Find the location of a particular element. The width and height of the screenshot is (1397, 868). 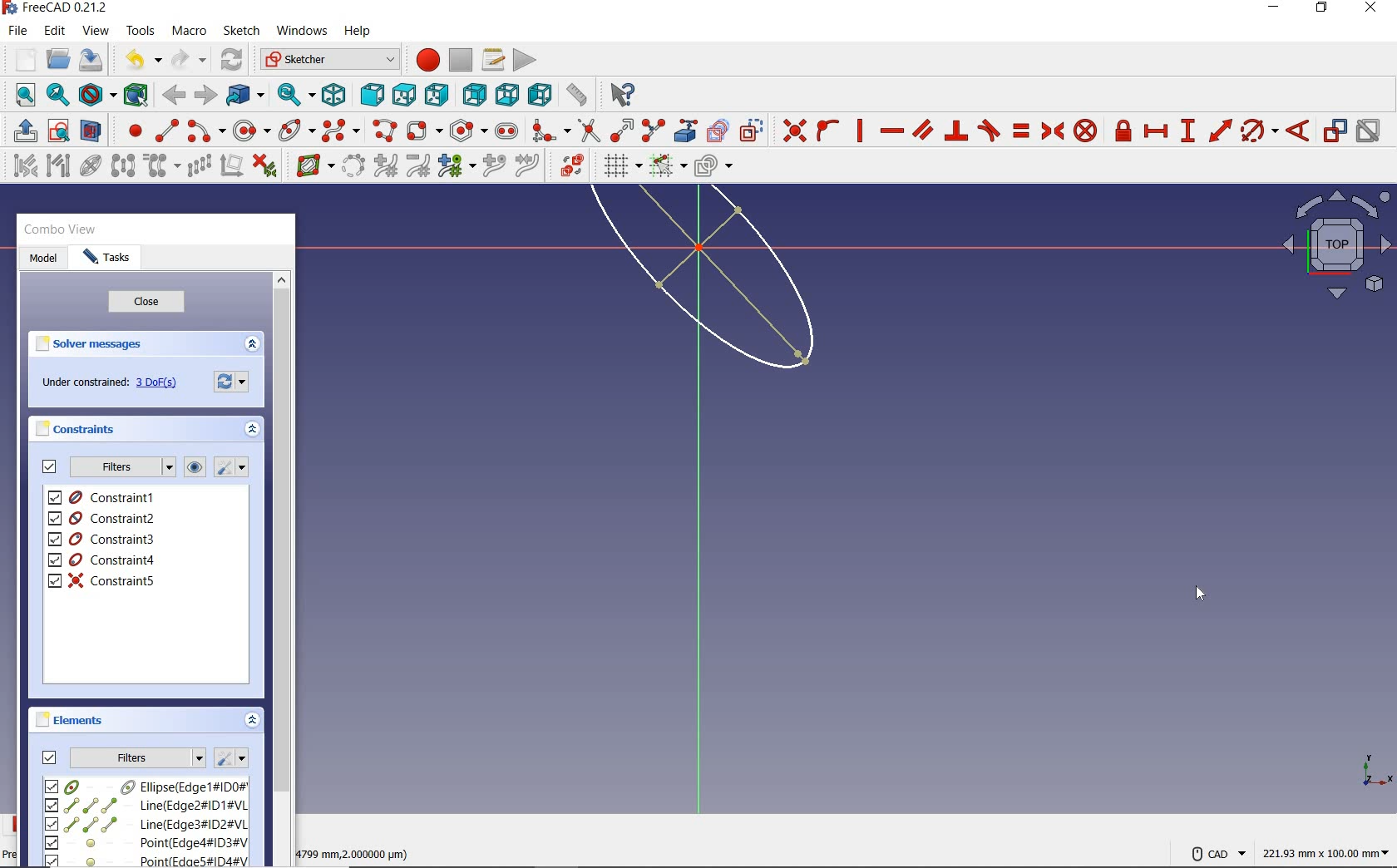

macros is located at coordinates (491, 58).